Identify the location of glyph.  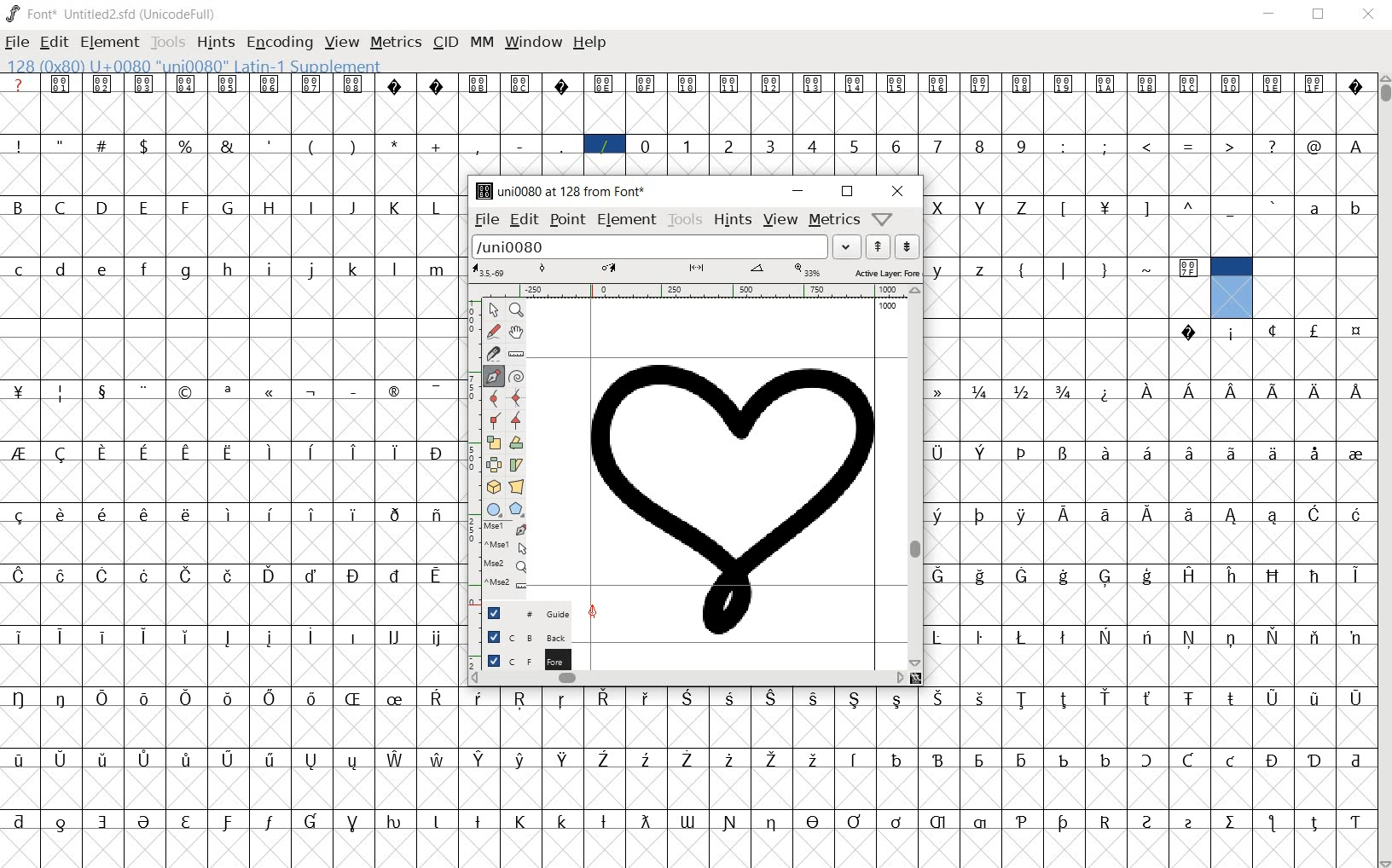
(1314, 513).